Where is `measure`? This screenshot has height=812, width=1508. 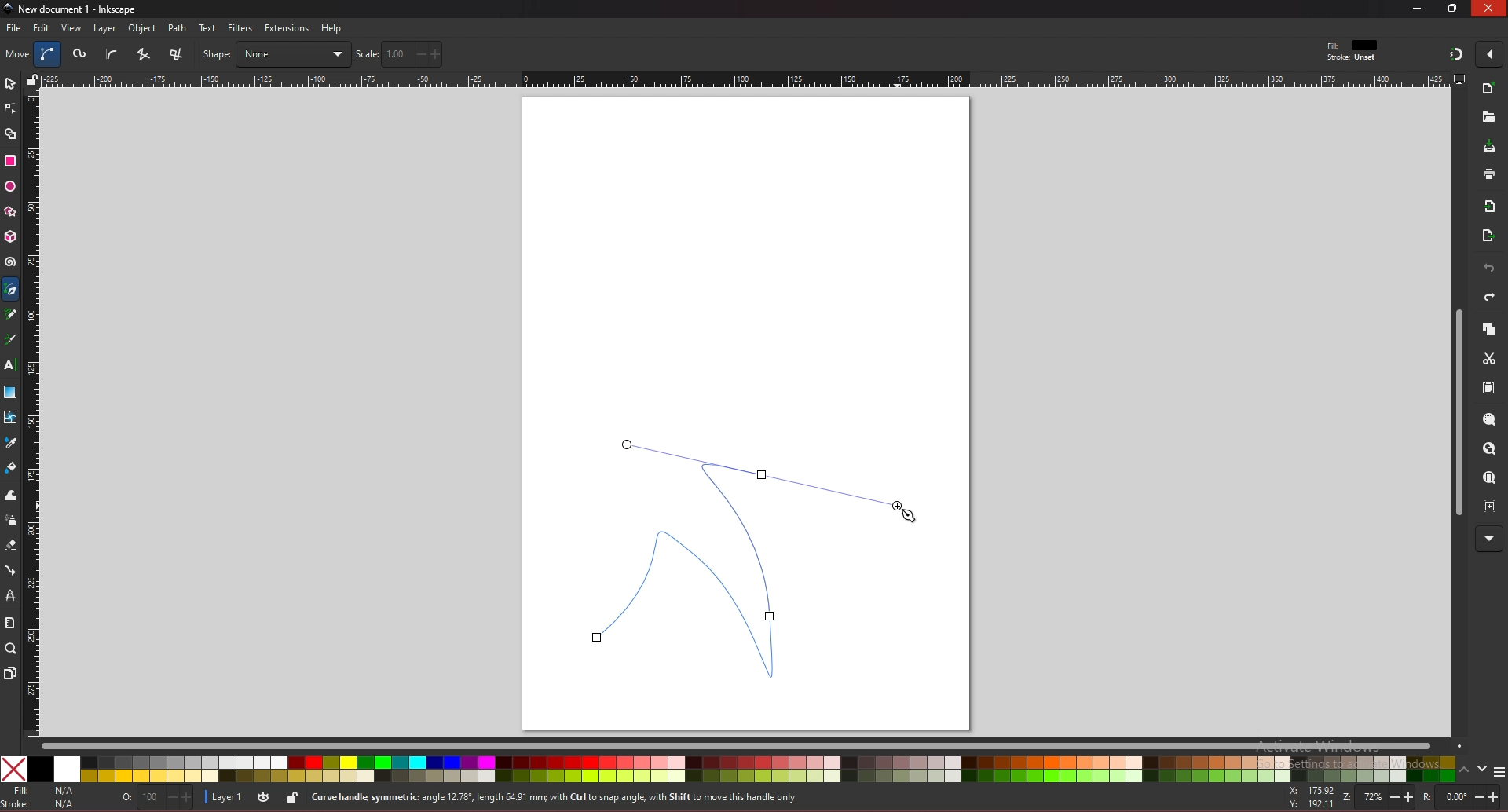 measure is located at coordinates (9, 623).